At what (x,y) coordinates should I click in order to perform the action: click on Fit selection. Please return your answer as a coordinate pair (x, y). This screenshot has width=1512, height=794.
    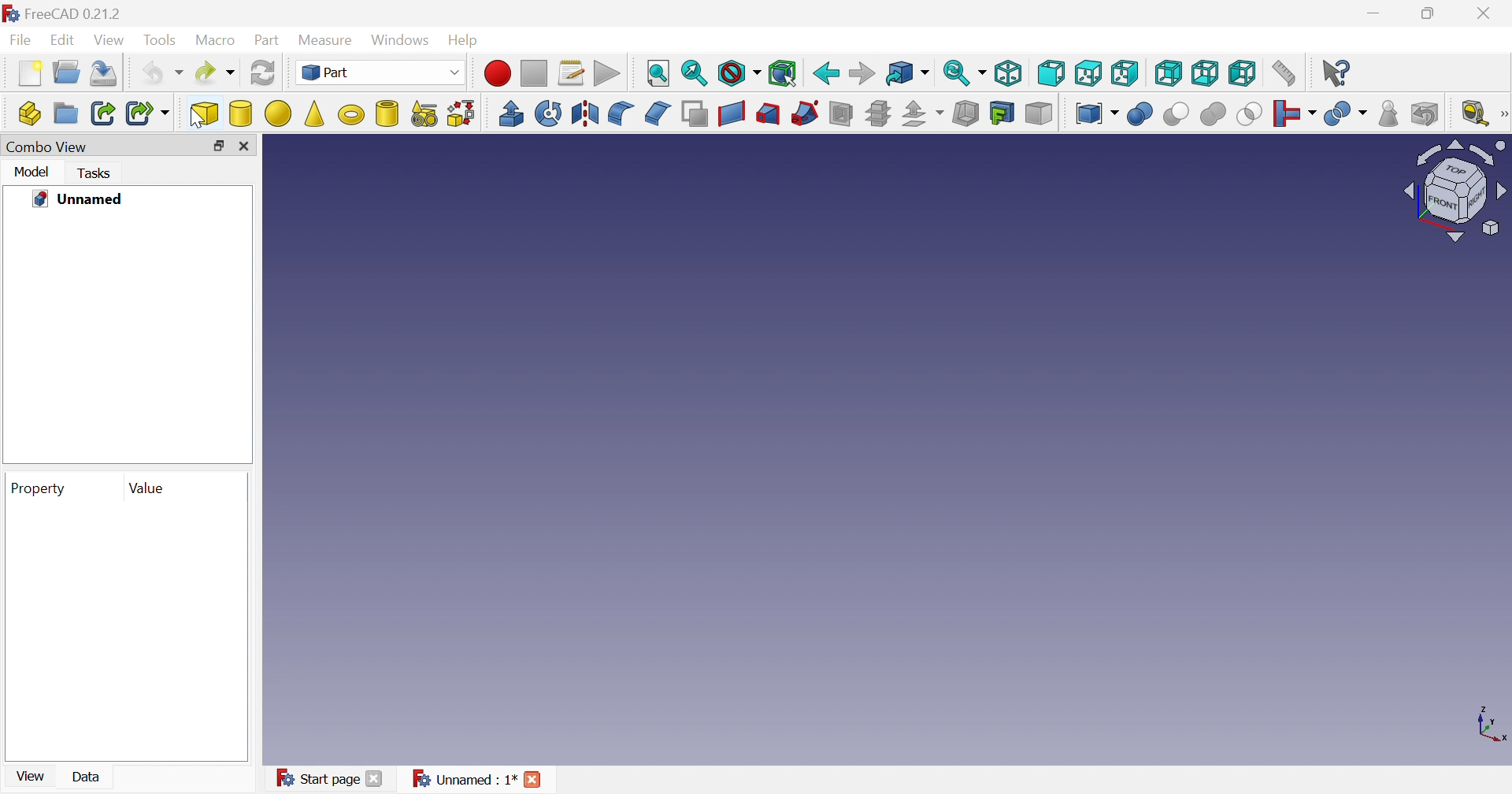
    Looking at the image, I should click on (695, 71).